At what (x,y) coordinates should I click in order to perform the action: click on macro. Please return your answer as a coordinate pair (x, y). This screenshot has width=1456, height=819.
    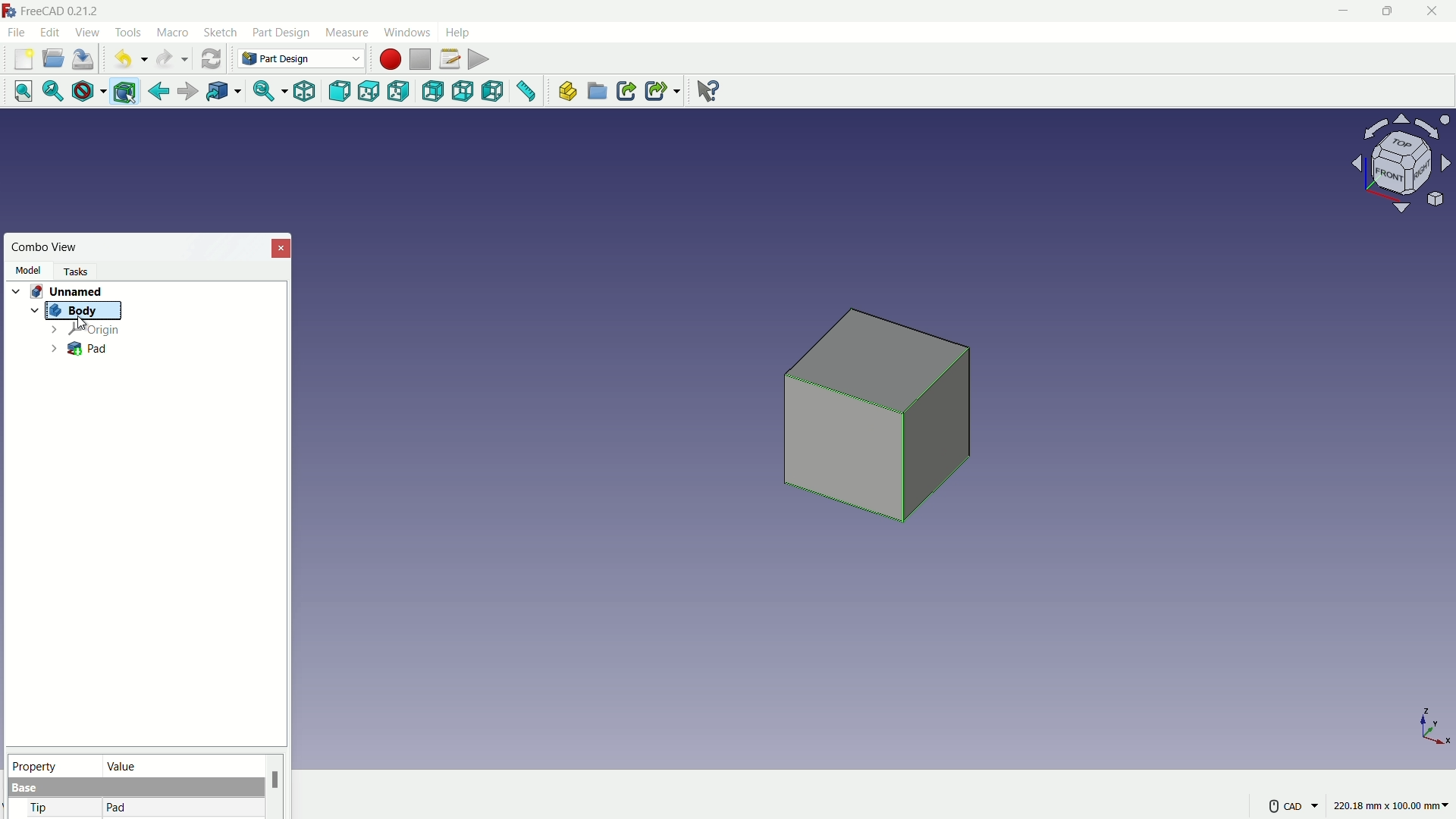
    Looking at the image, I should click on (174, 33).